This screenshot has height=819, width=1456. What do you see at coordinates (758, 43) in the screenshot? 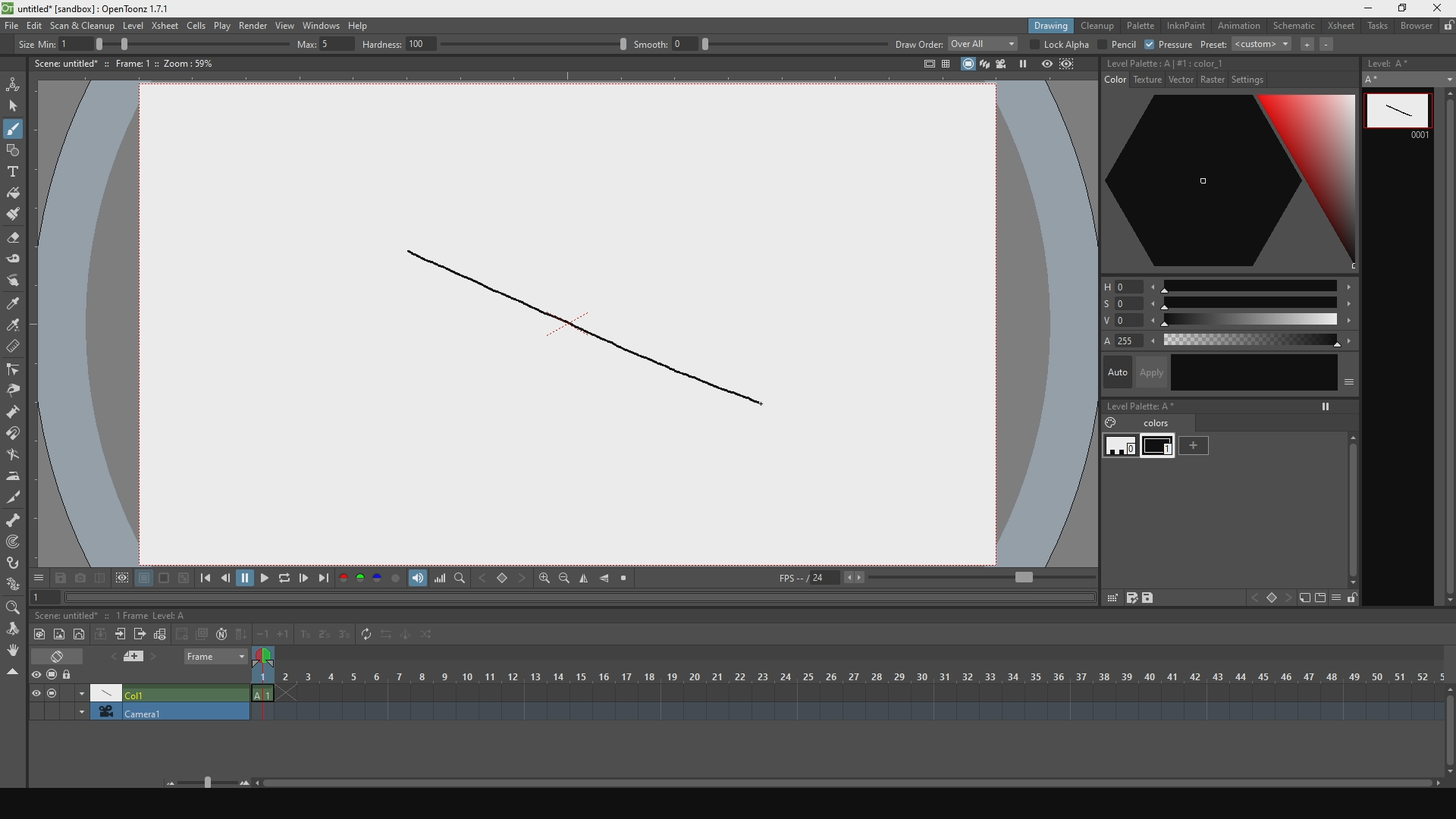
I see `smooth` at bounding box center [758, 43].